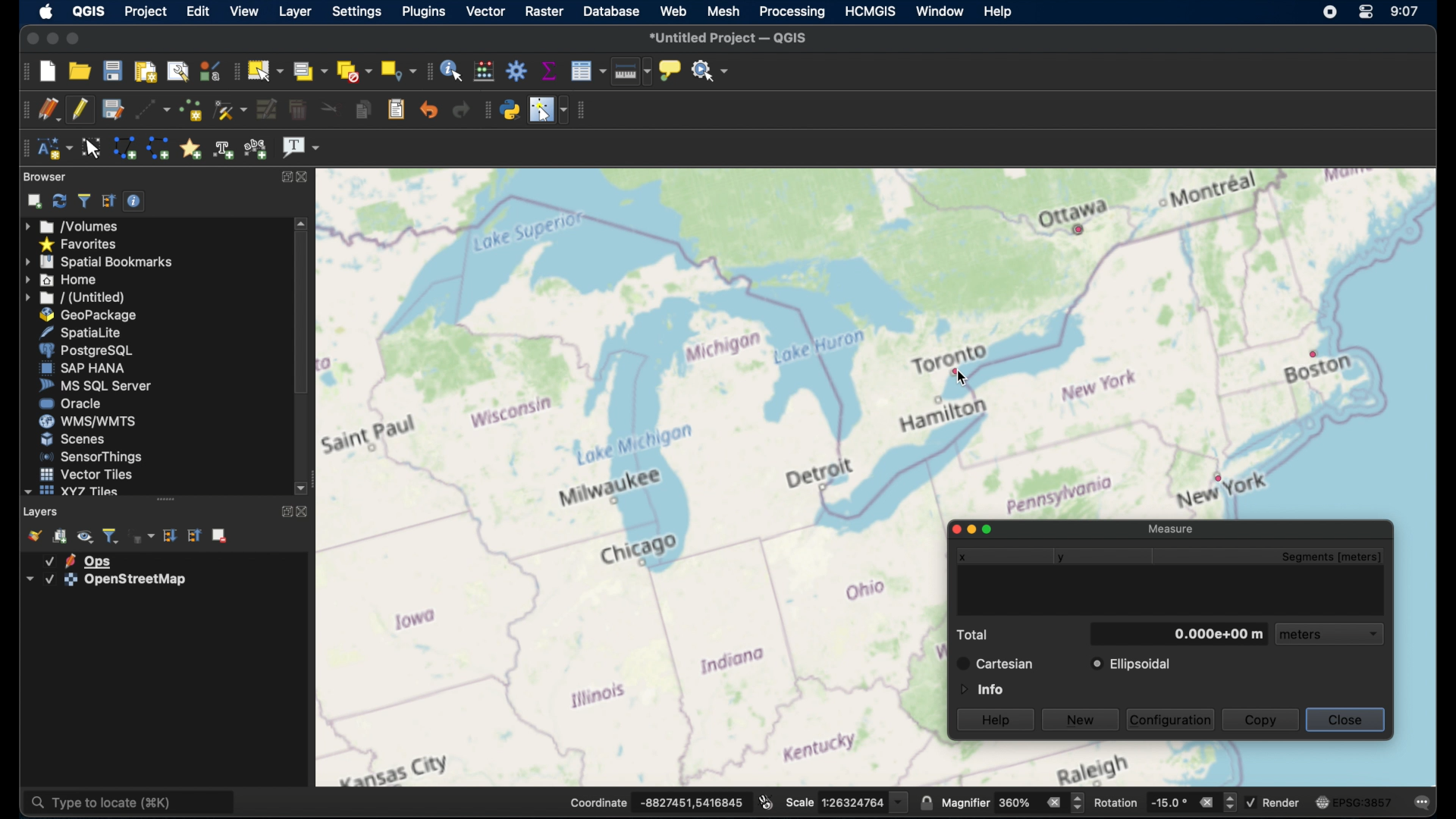  What do you see at coordinates (85, 473) in the screenshot?
I see `vector tiles` at bounding box center [85, 473].